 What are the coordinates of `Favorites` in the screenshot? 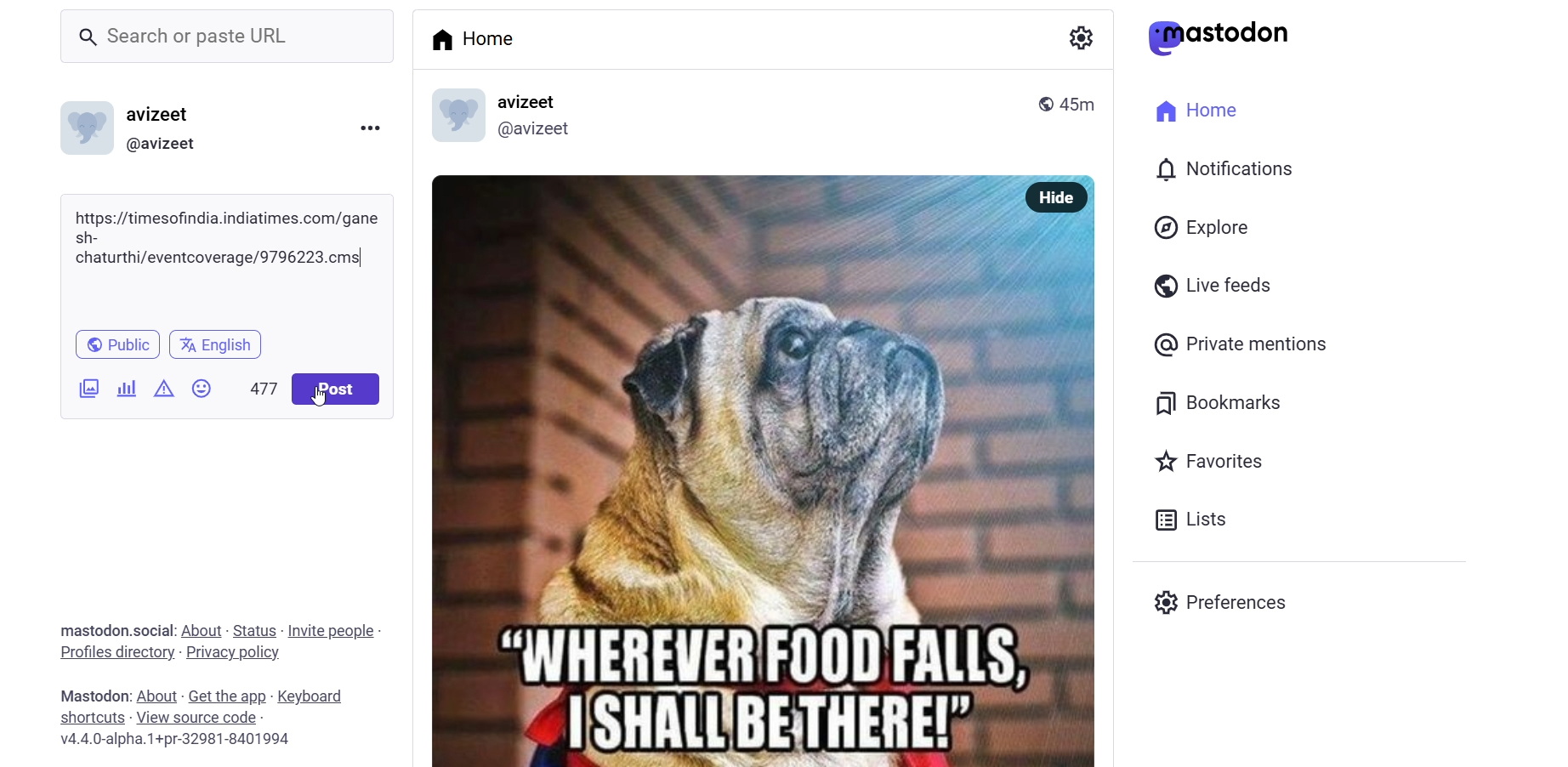 It's located at (1213, 465).